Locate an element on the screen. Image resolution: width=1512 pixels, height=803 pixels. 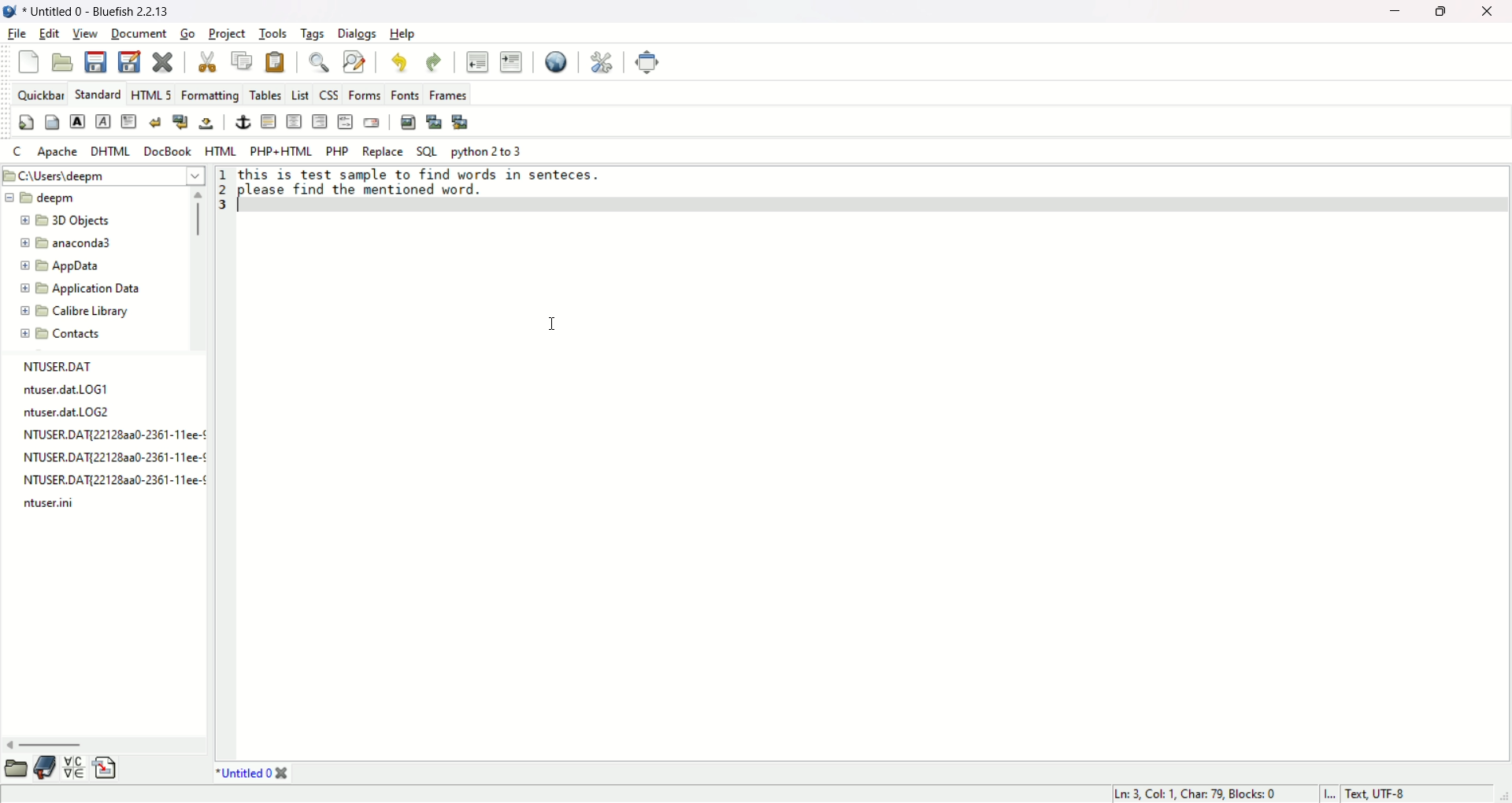
REPLACE is located at coordinates (383, 151).